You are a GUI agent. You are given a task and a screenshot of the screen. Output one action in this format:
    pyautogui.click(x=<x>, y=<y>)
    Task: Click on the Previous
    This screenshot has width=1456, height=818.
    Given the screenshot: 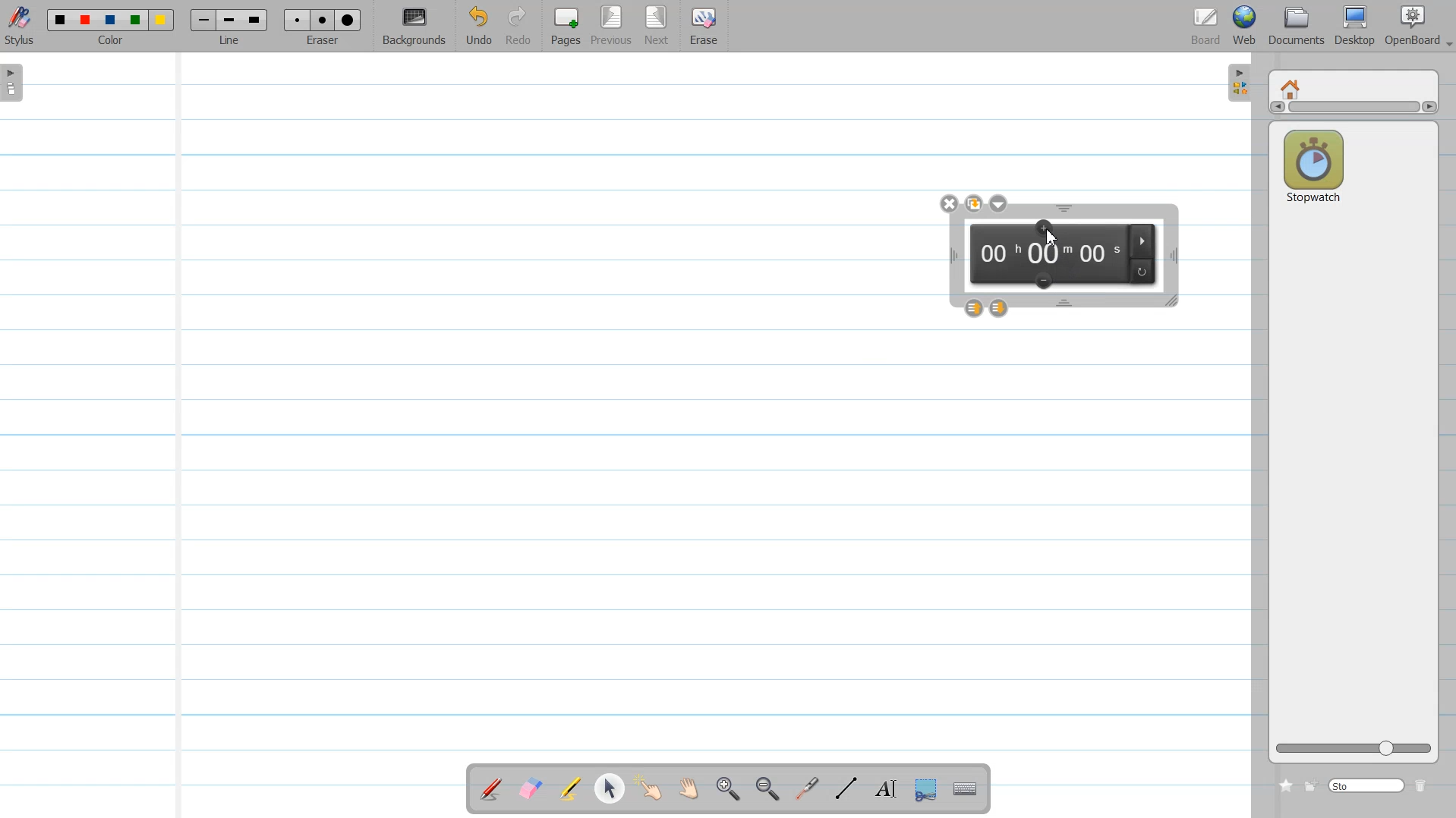 What is the action you would take?
    pyautogui.click(x=615, y=27)
    